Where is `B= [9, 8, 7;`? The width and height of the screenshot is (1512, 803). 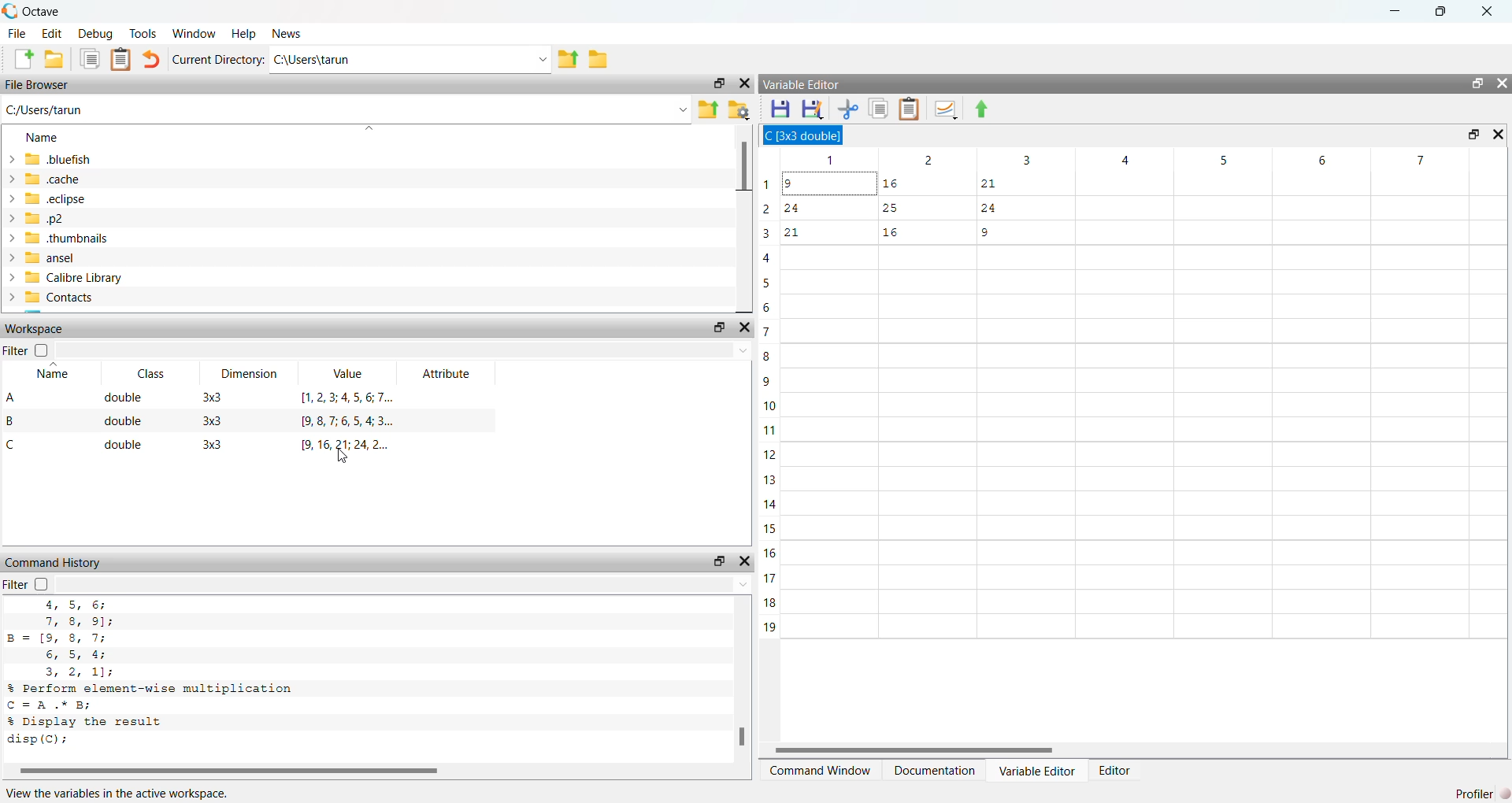
B= [9, 8, 7; is located at coordinates (60, 639).